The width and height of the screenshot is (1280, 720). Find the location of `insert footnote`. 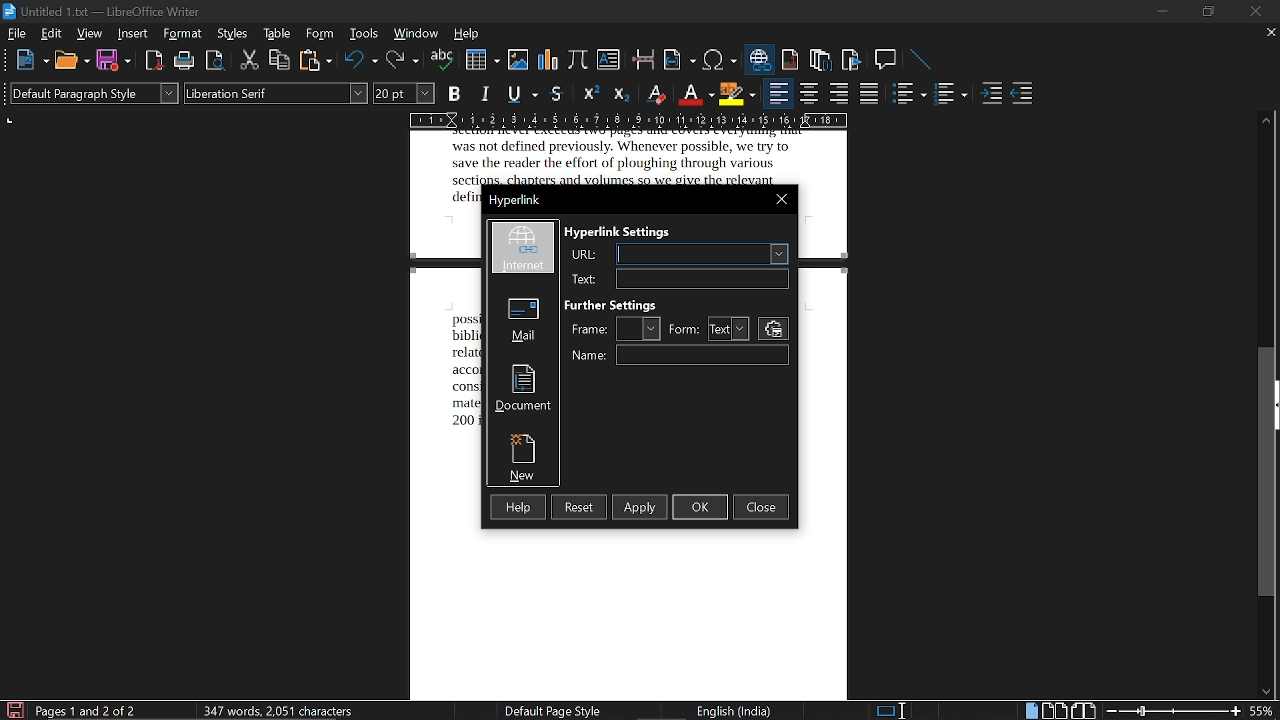

insert footnote is located at coordinates (791, 59).